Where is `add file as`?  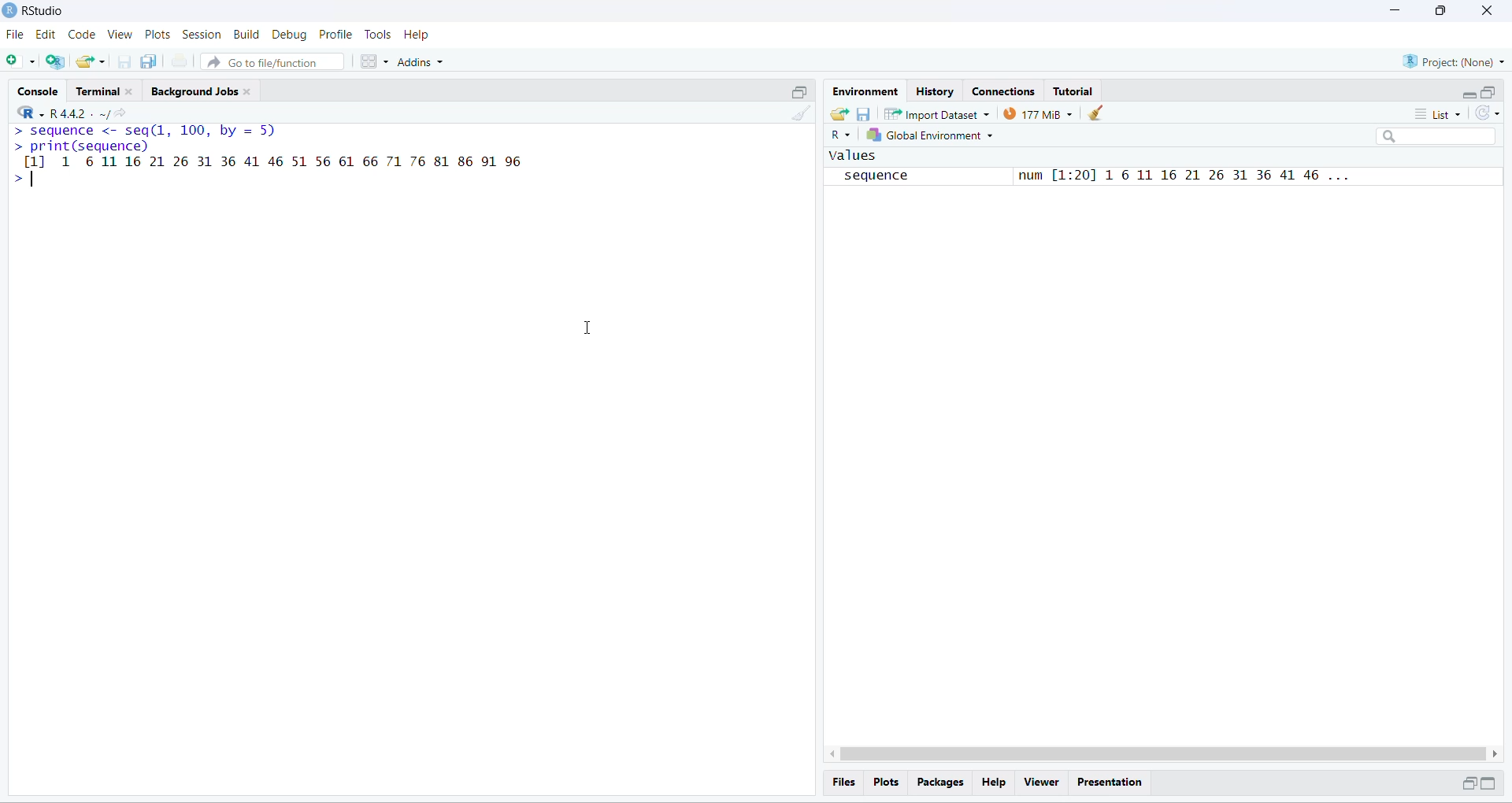
add file as is located at coordinates (22, 61).